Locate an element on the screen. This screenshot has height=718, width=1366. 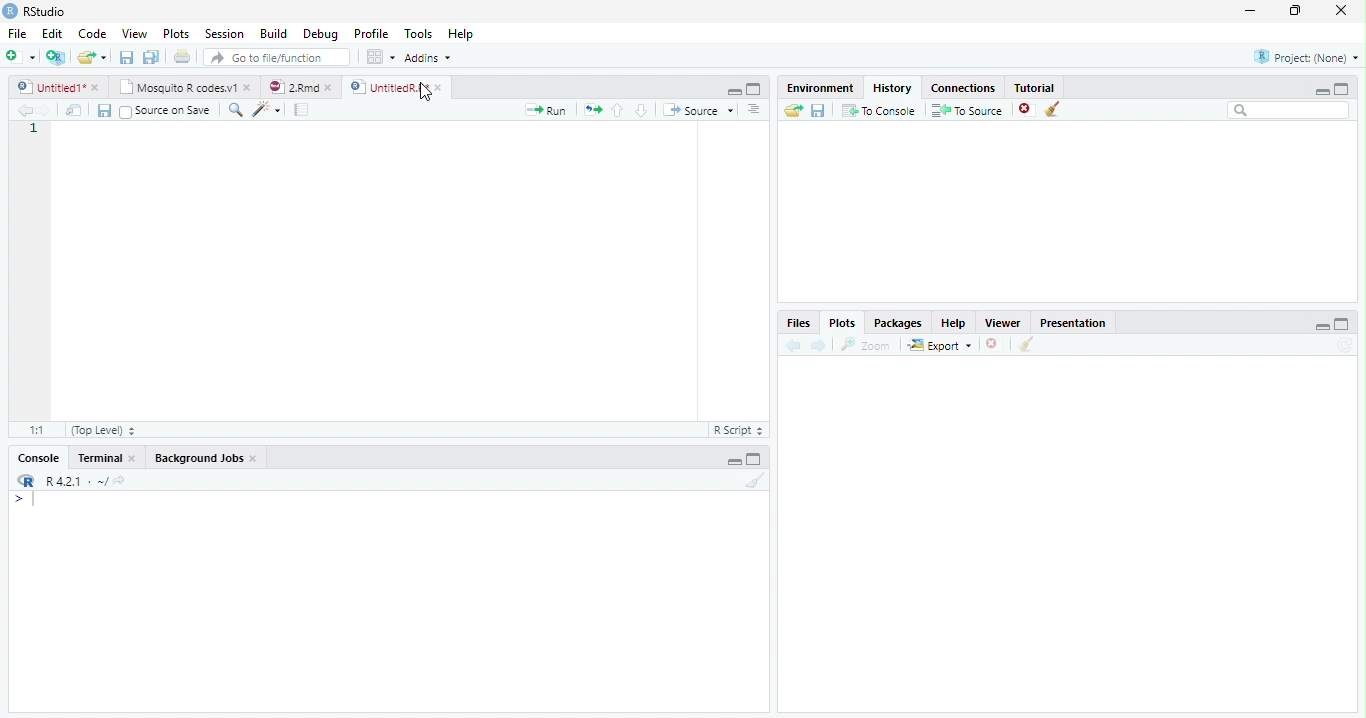
View is located at coordinates (134, 35).